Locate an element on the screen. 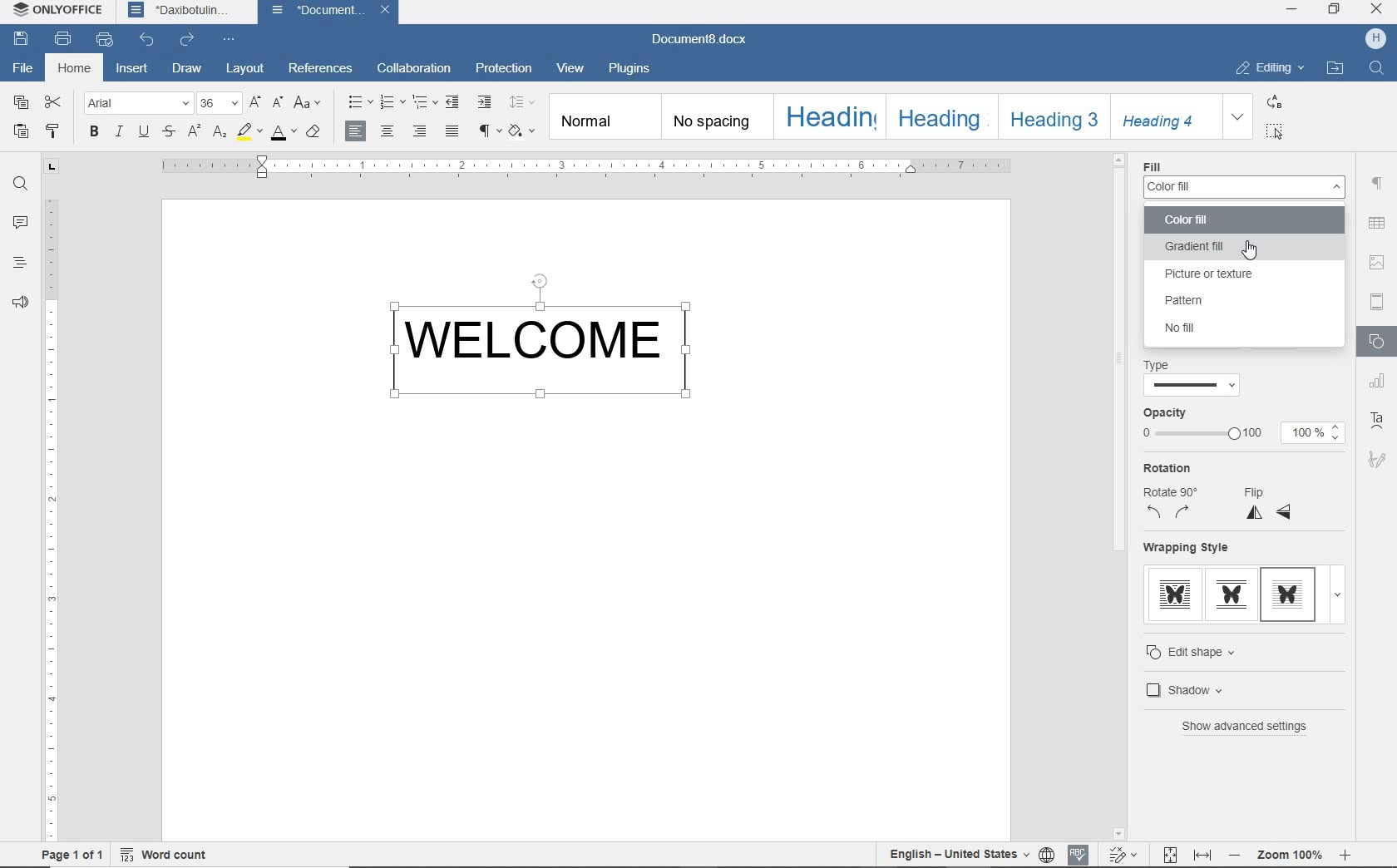 The height and width of the screenshot is (868, 1397). cursor is located at coordinates (1251, 249).